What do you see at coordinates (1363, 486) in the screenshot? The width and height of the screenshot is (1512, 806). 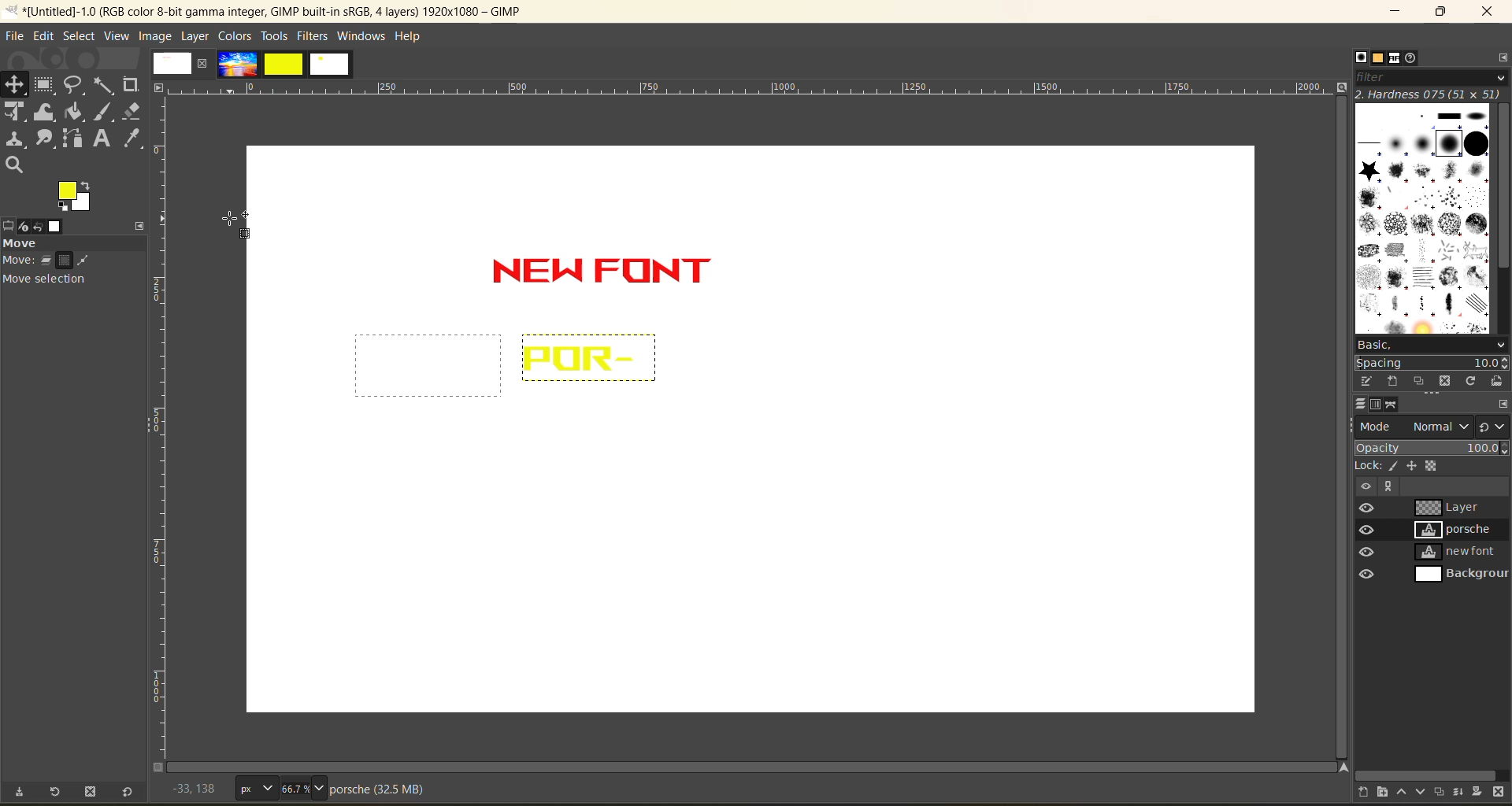 I see `` at bounding box center [1363, 486].